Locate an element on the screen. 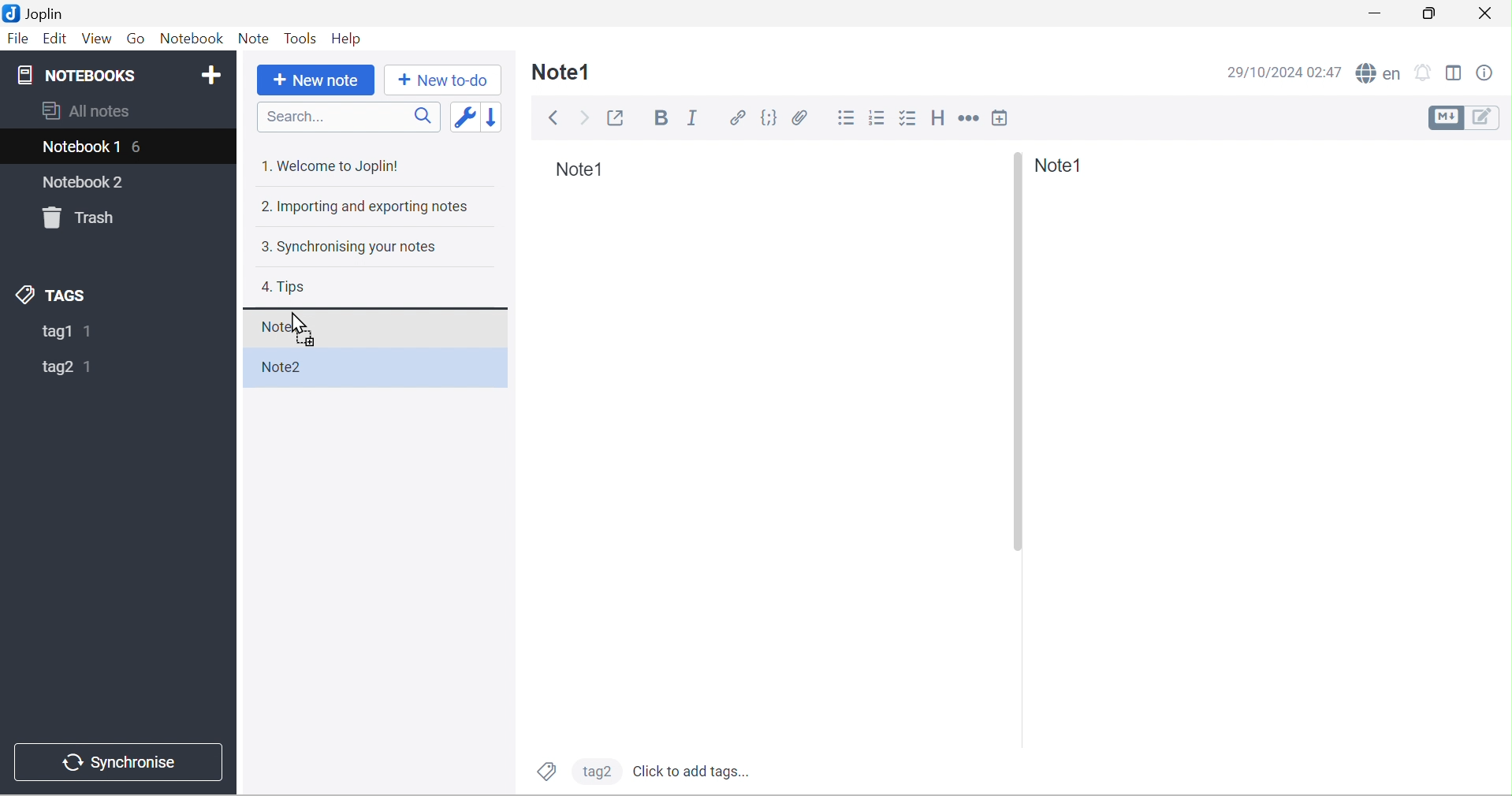 The width and height of the screenshot is (1512, 796). Heading is located at coordinates (940, 120).